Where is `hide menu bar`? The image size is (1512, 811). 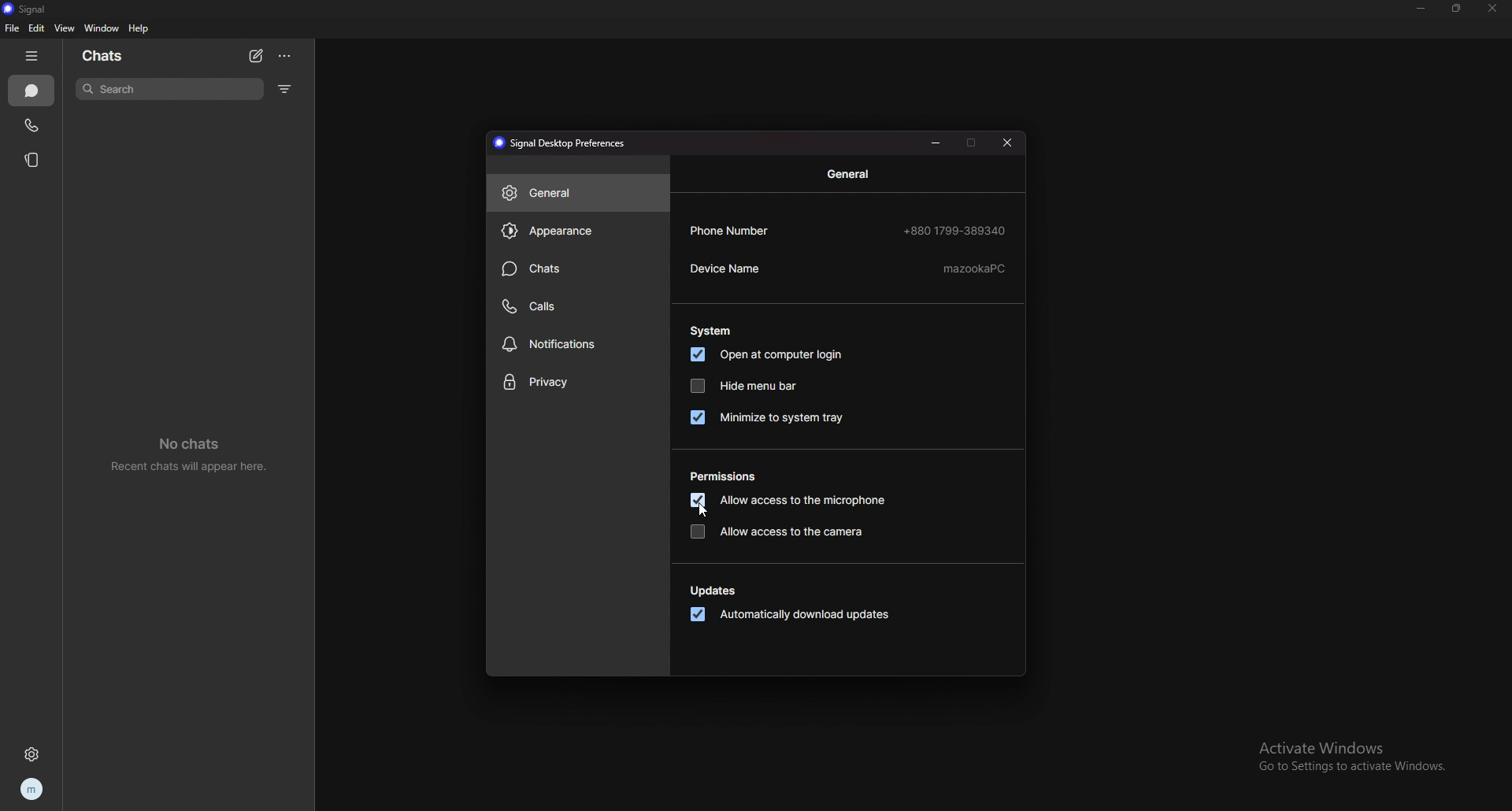 hide menu bar is located at coordinates (745, 385).